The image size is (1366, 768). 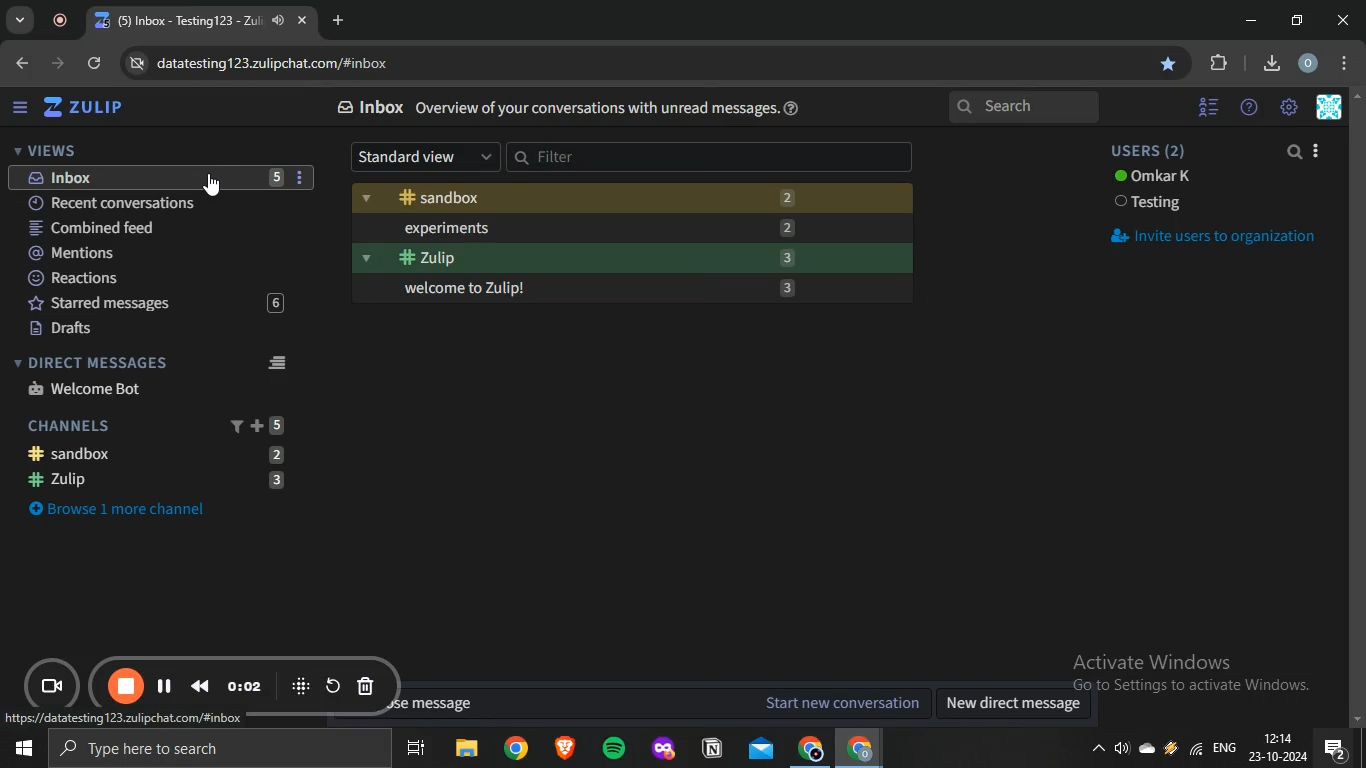 What do you see at coordinates (1224, 750) in the screenshot?
I see `english` at bounding box center [1224, 750].